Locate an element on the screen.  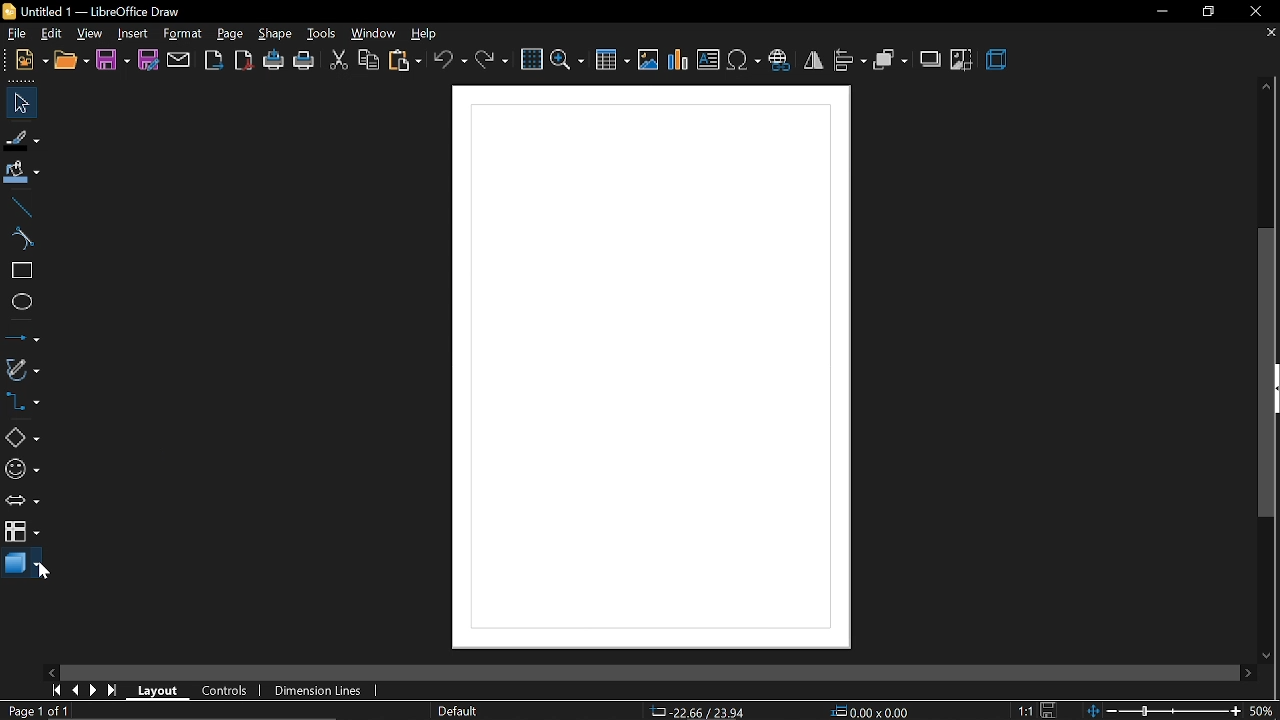
Page 1 of 1 is located at coordinates (35, 711).